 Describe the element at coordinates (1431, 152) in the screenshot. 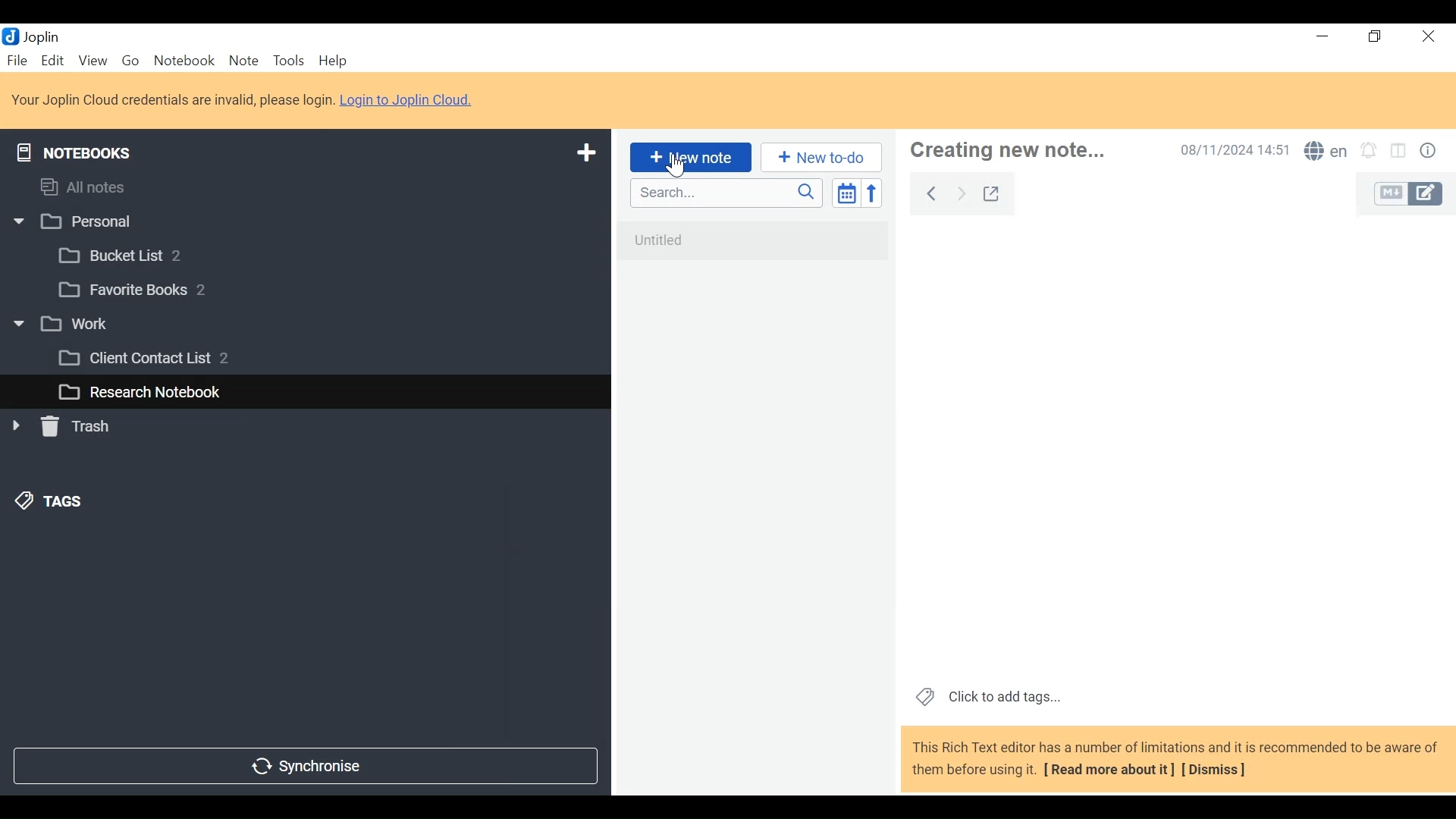

I see `Note properties` at that location.